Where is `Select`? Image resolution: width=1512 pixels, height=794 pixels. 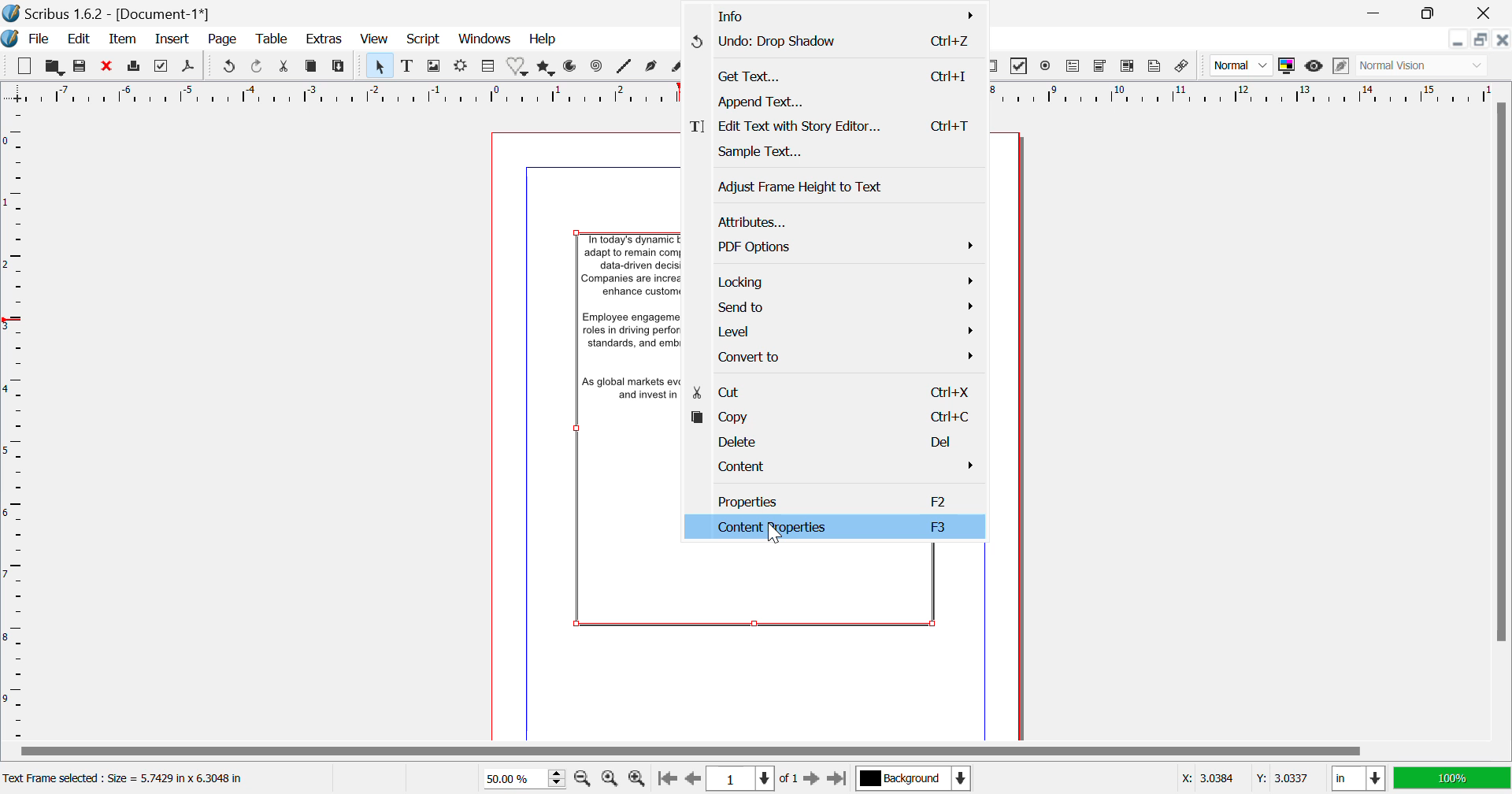
Select is located at coordinates (381, 65).